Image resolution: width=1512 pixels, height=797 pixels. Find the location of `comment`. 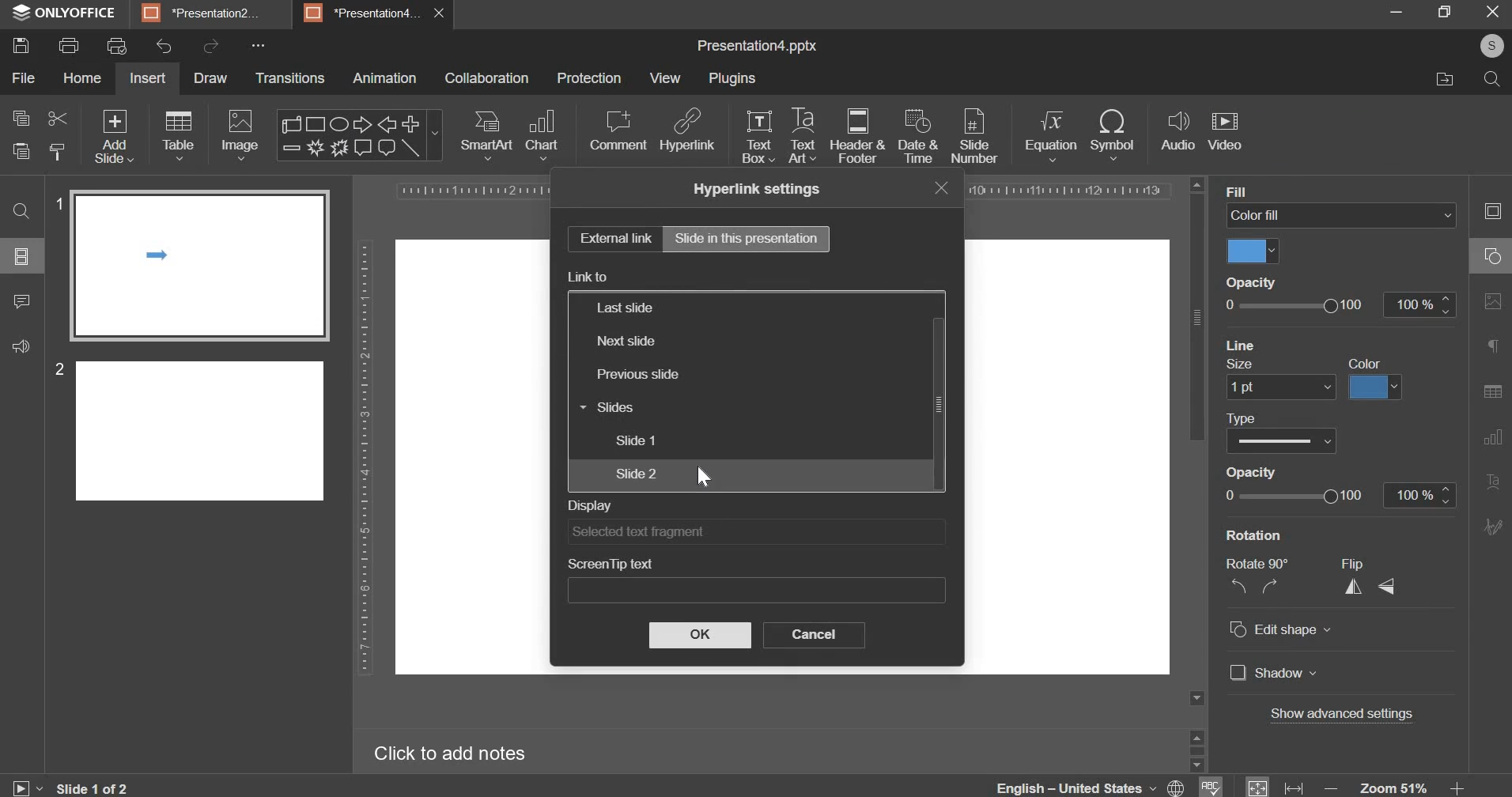

comment is located at coordinates (23, 308).